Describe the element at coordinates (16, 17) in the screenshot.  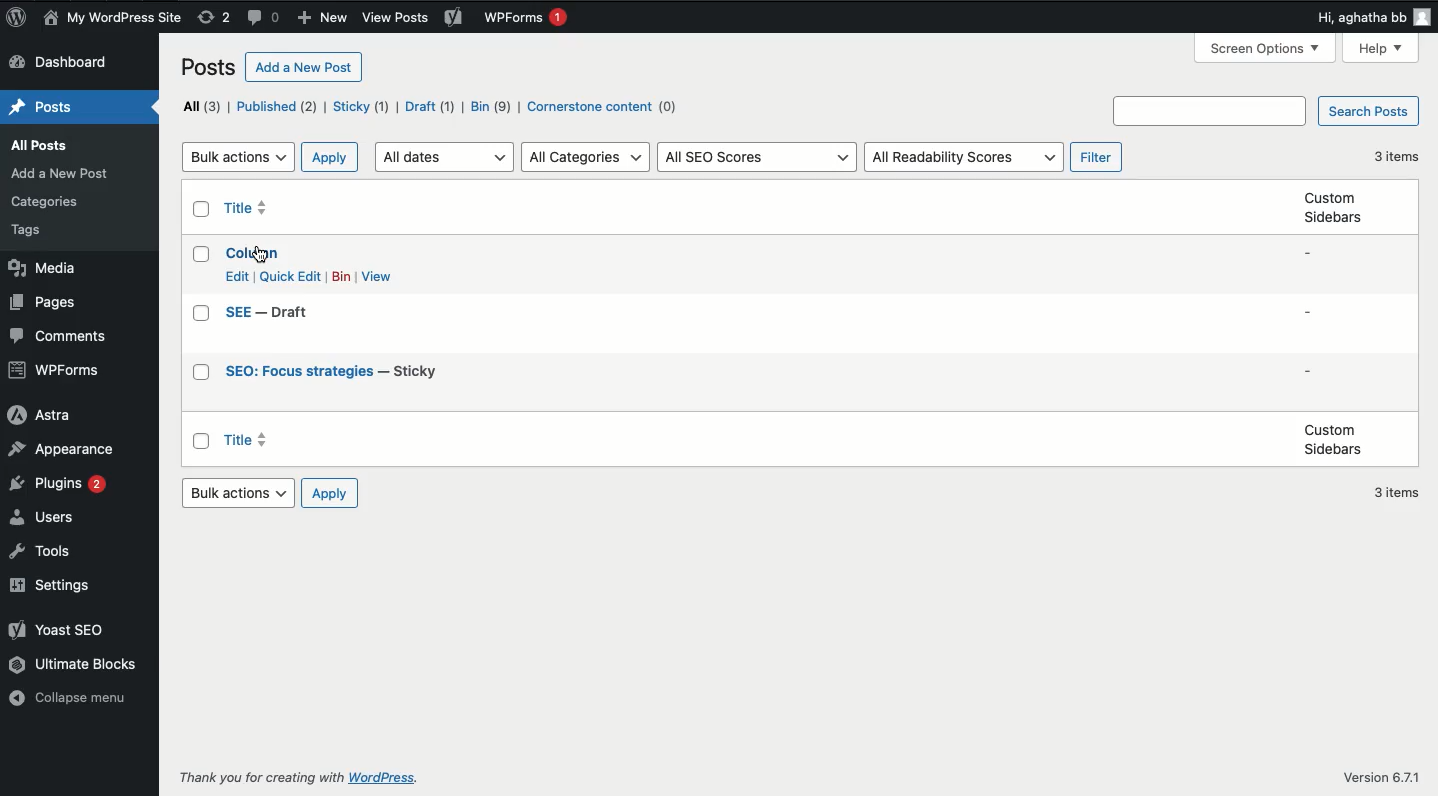
I see `Logo` at that location.